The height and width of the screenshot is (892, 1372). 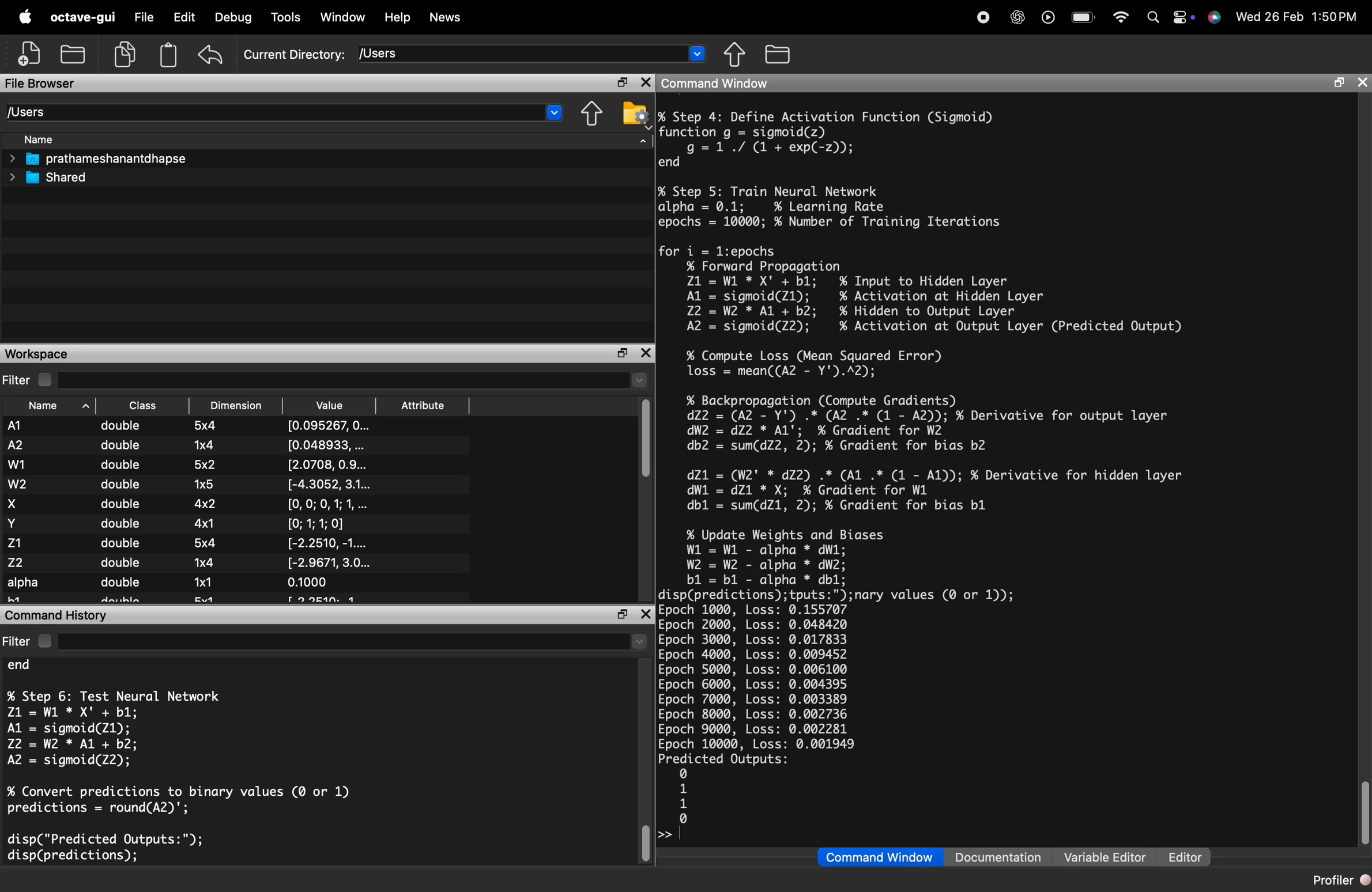 What do you see at coordinates (665, 837) in the screenshot?
I see `New line` at bounding box center [665, 837].